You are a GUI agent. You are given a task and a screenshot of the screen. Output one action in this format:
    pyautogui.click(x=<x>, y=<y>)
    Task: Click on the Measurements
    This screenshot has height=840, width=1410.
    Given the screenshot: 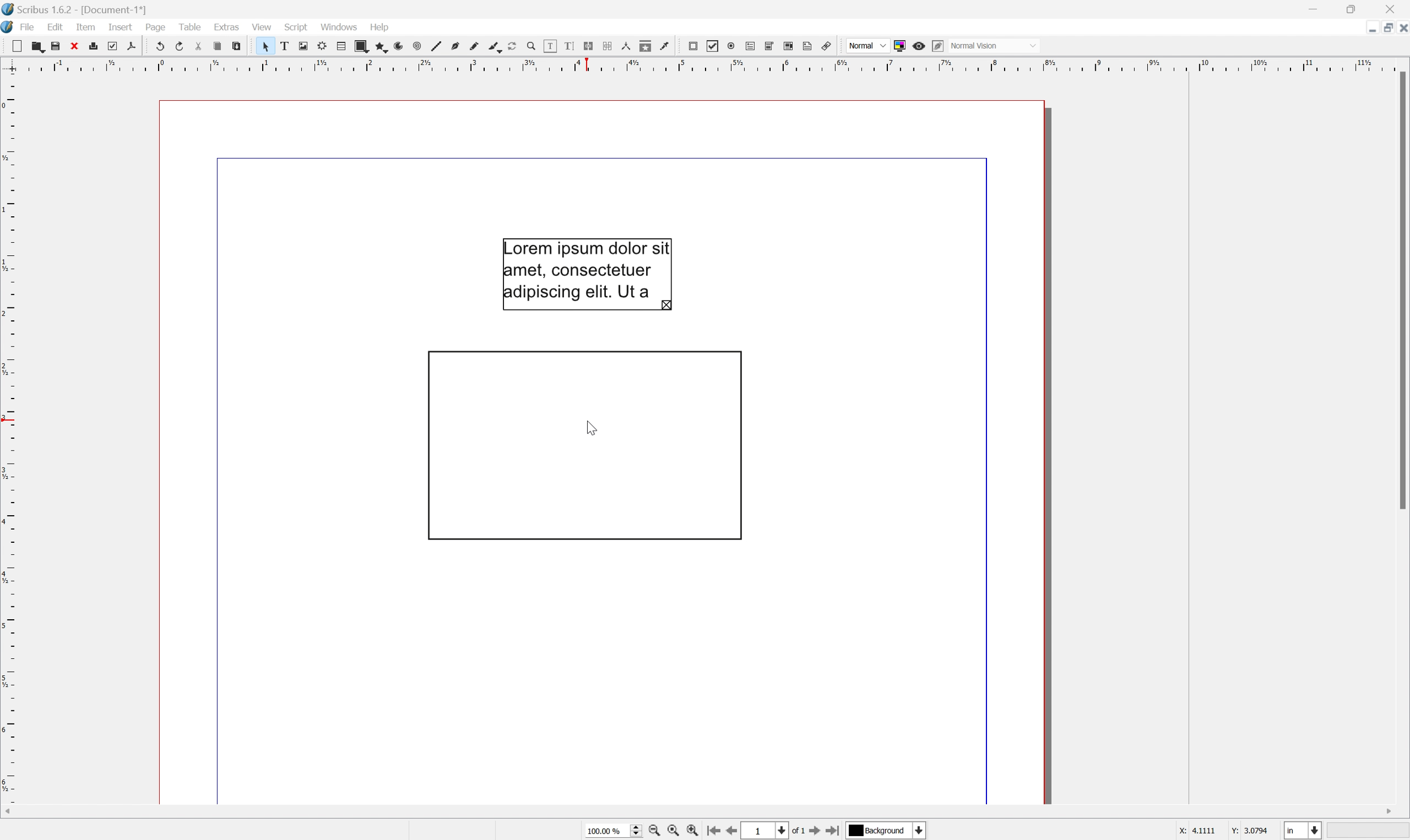 What is the action you would take?
    pyautogui.click(x=627, y=46)
    